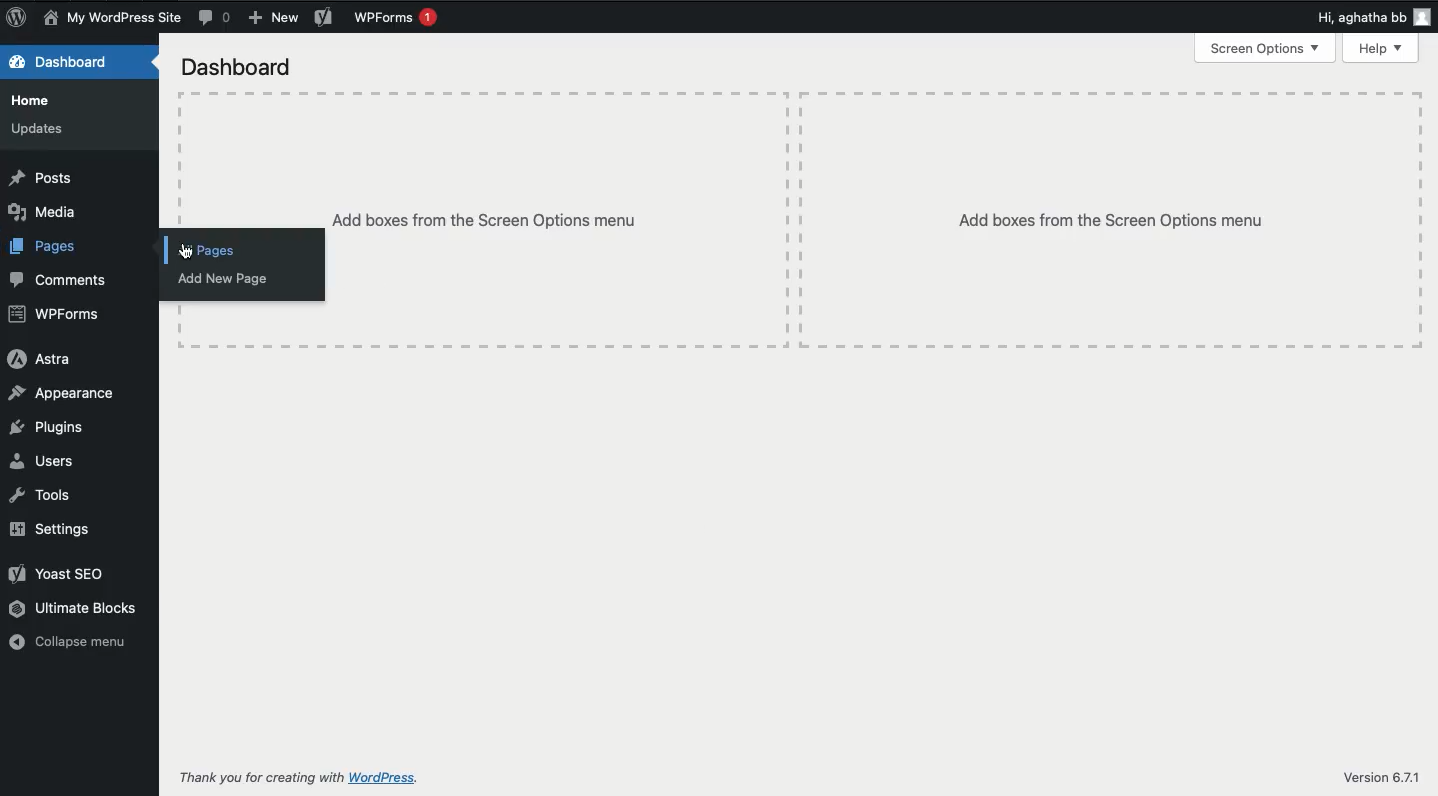 The height and width of the screenshot is (796, 1438). Describe the element at coordinates (217, 18) in the screenshot. I see `Comments` at that location.